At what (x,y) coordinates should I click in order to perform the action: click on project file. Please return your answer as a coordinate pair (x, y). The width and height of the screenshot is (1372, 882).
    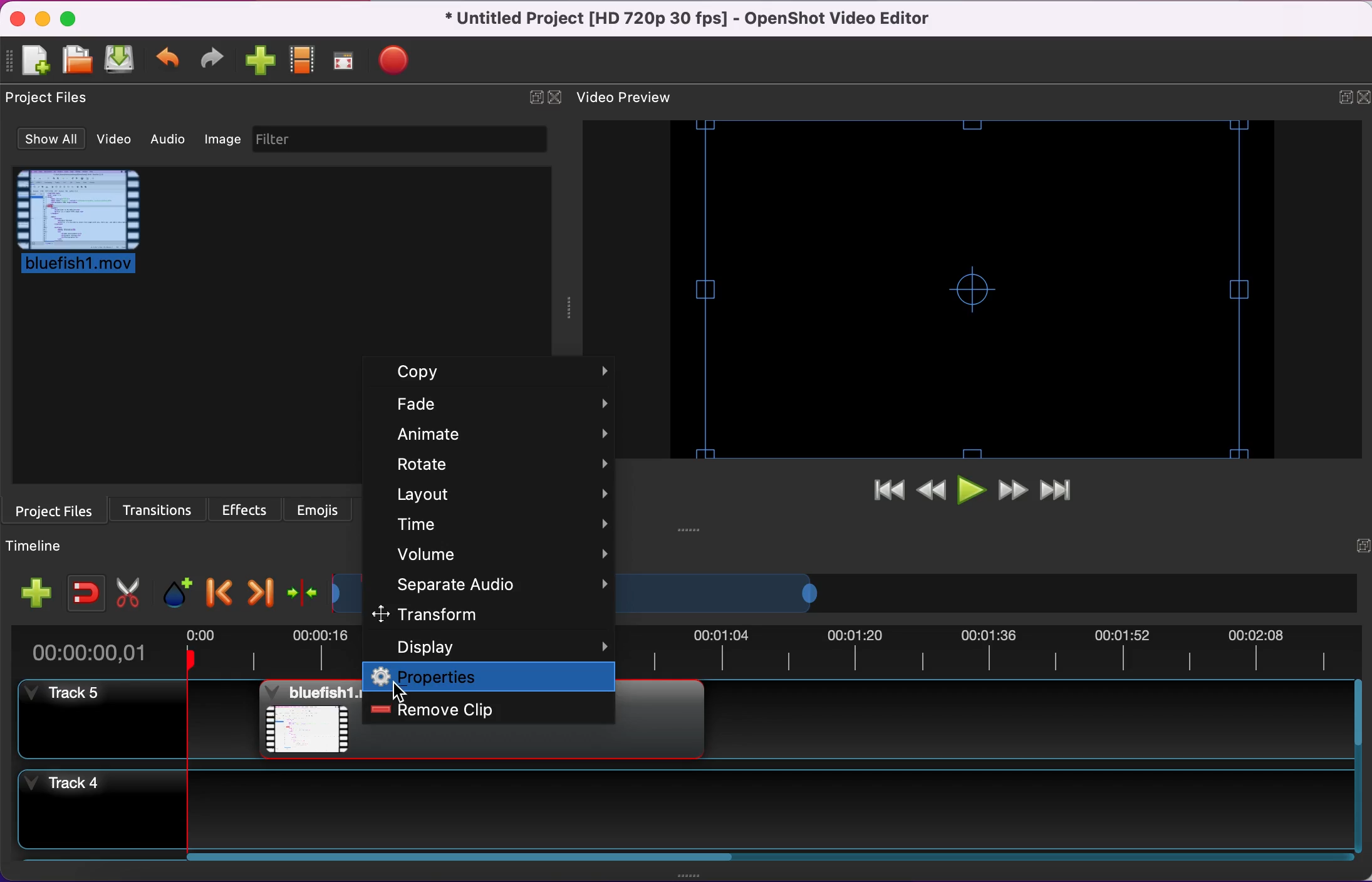
    Looking at the image, I should click on (77, 222).